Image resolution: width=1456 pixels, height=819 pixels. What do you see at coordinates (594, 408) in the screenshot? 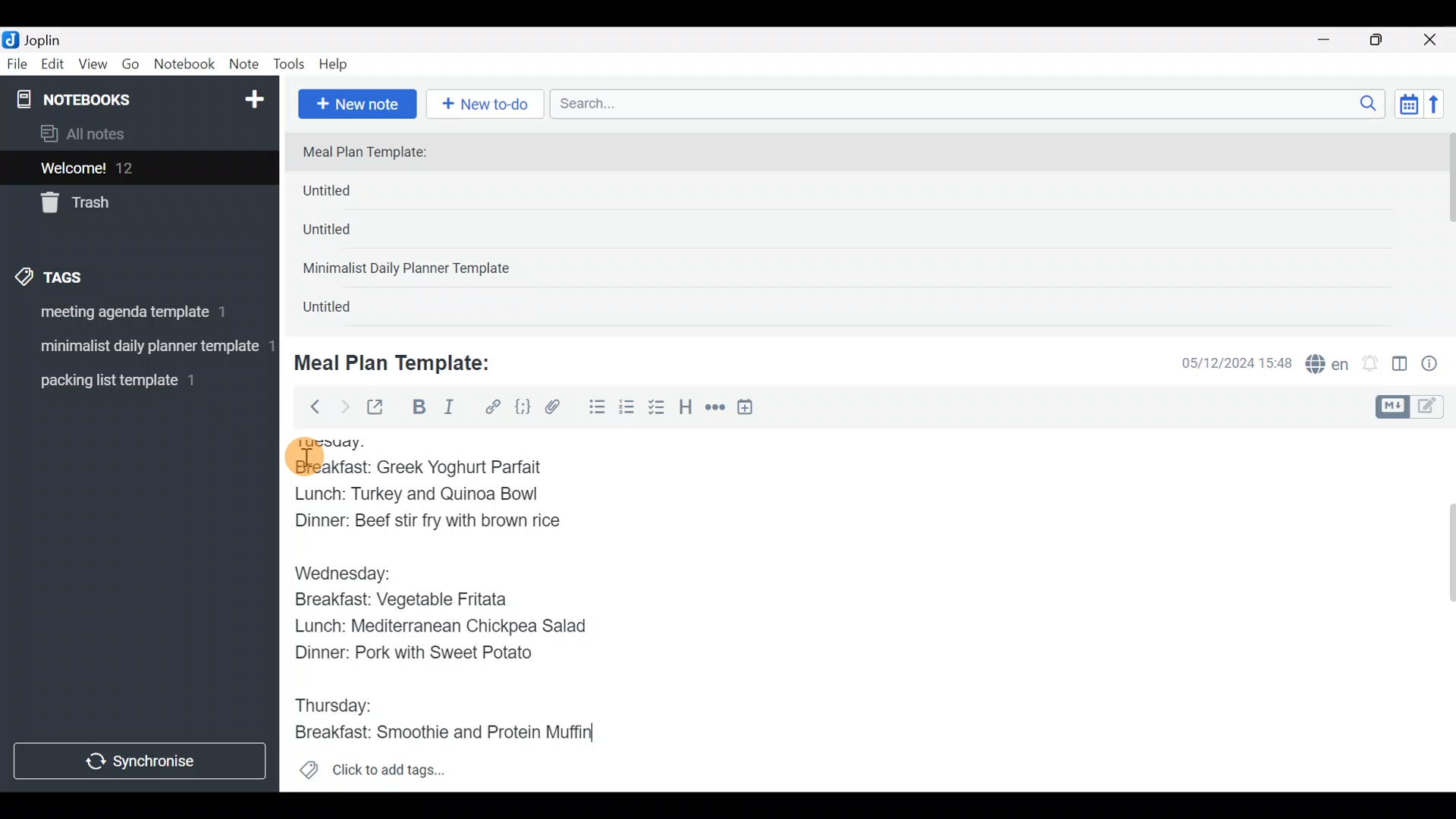
I see `Bulleted list` at bounding box center [594, 408].